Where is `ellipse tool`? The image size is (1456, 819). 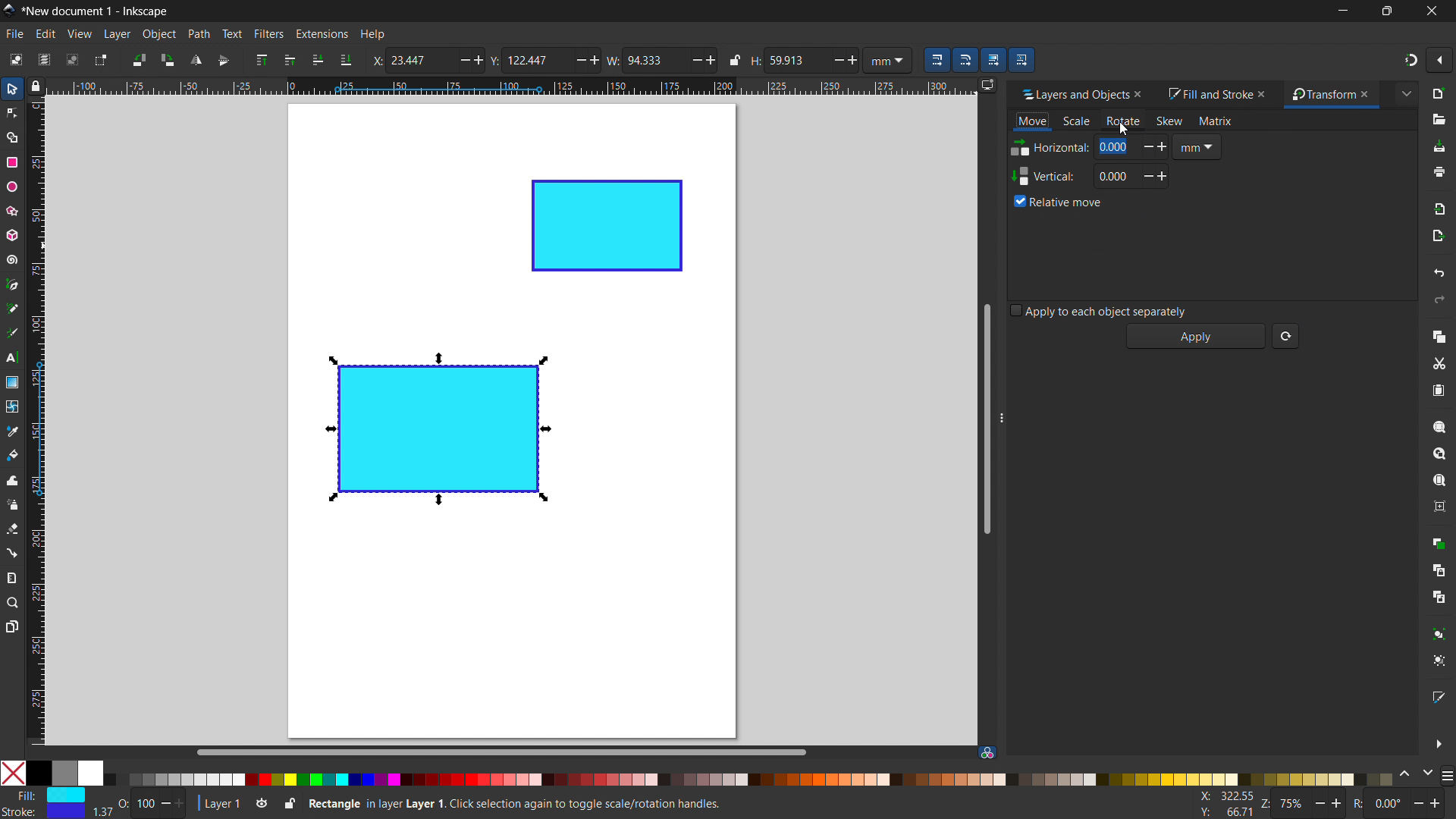
ellipse tool is located at coordinates (11, 186).